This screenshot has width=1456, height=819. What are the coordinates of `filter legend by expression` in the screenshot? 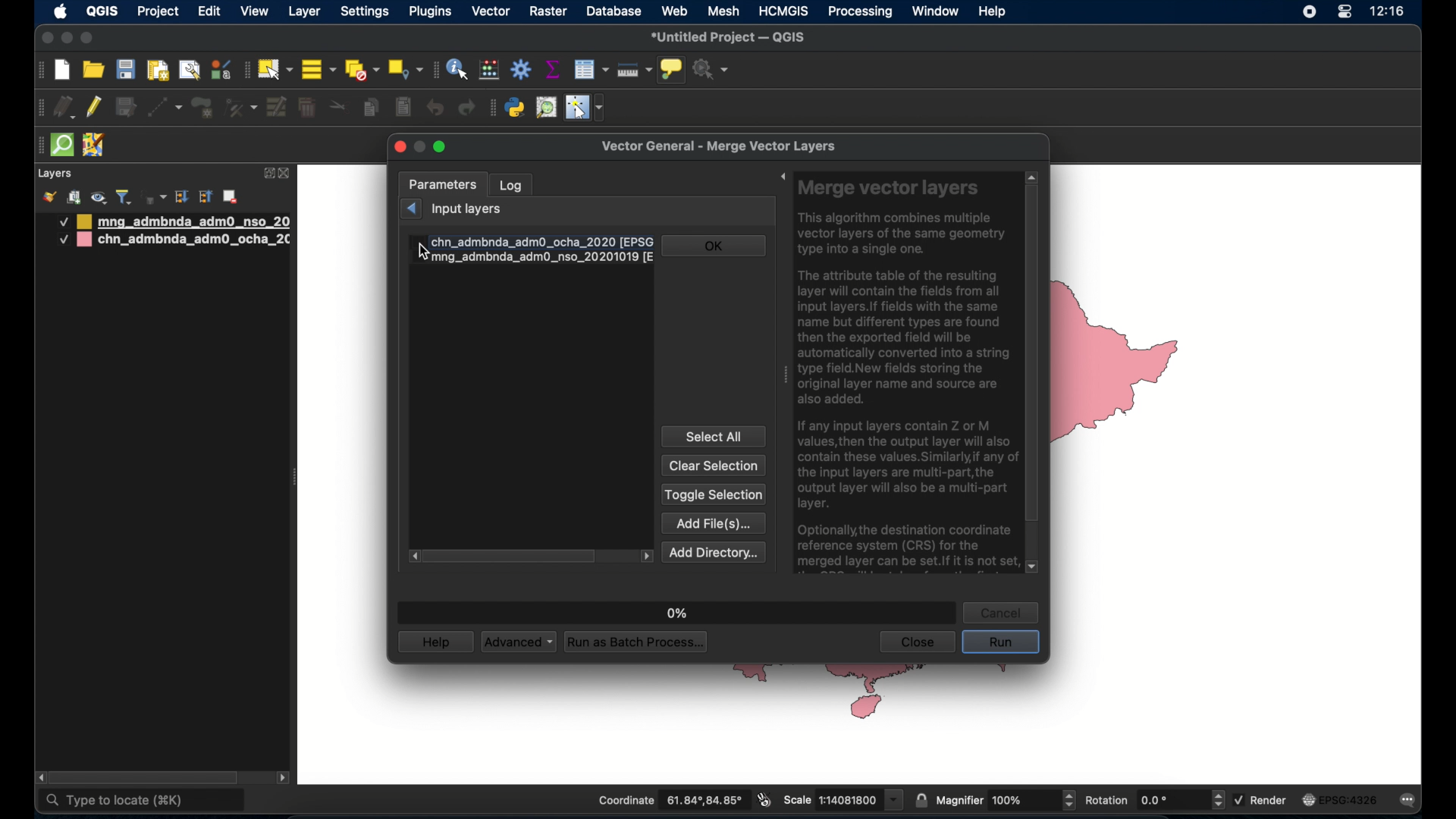 It's located at (152, 196).